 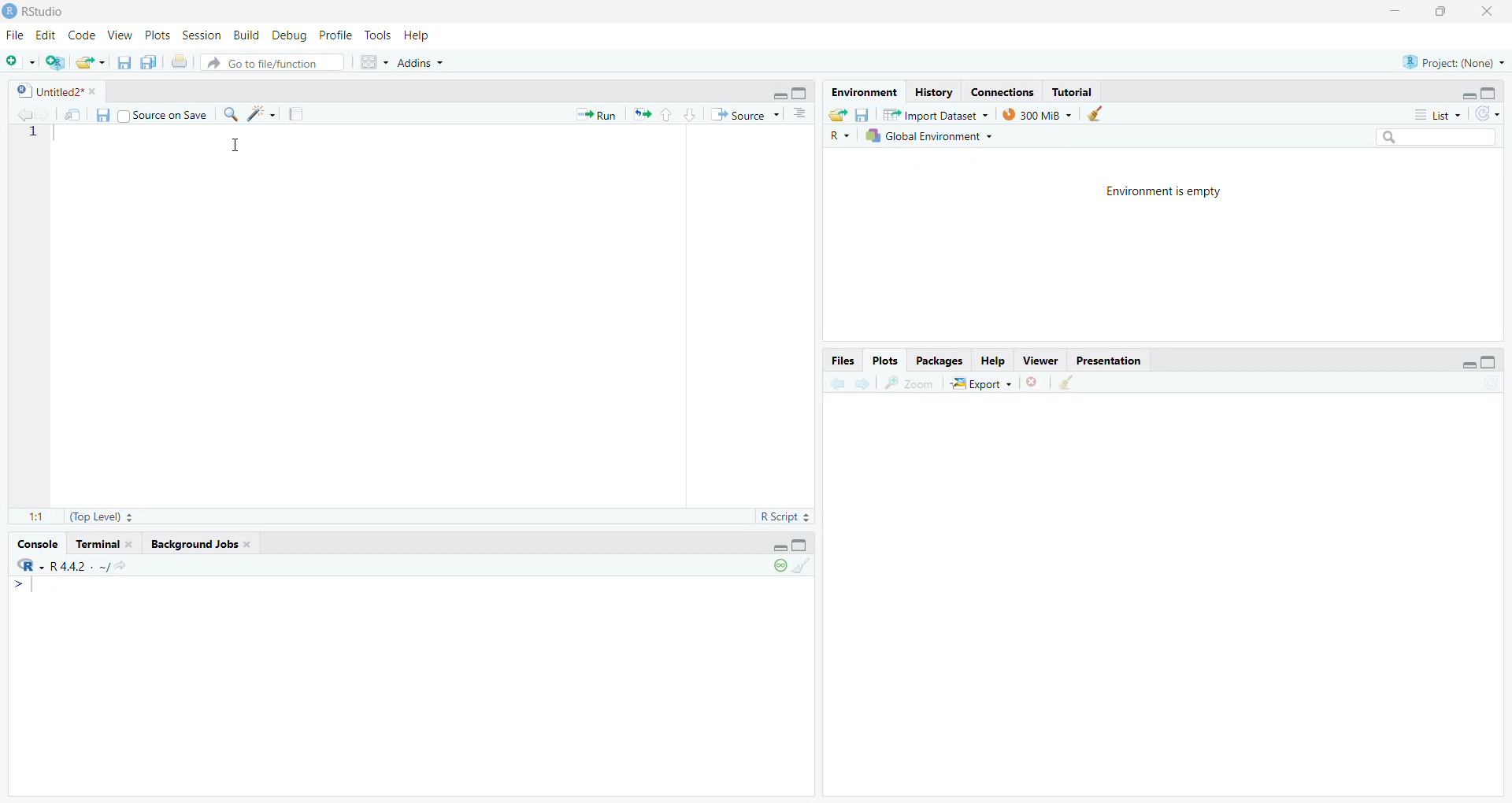 What do you see at coordinates (745, 116) in the screenshot?
I see `Source ` at bounding box center [745, 116].